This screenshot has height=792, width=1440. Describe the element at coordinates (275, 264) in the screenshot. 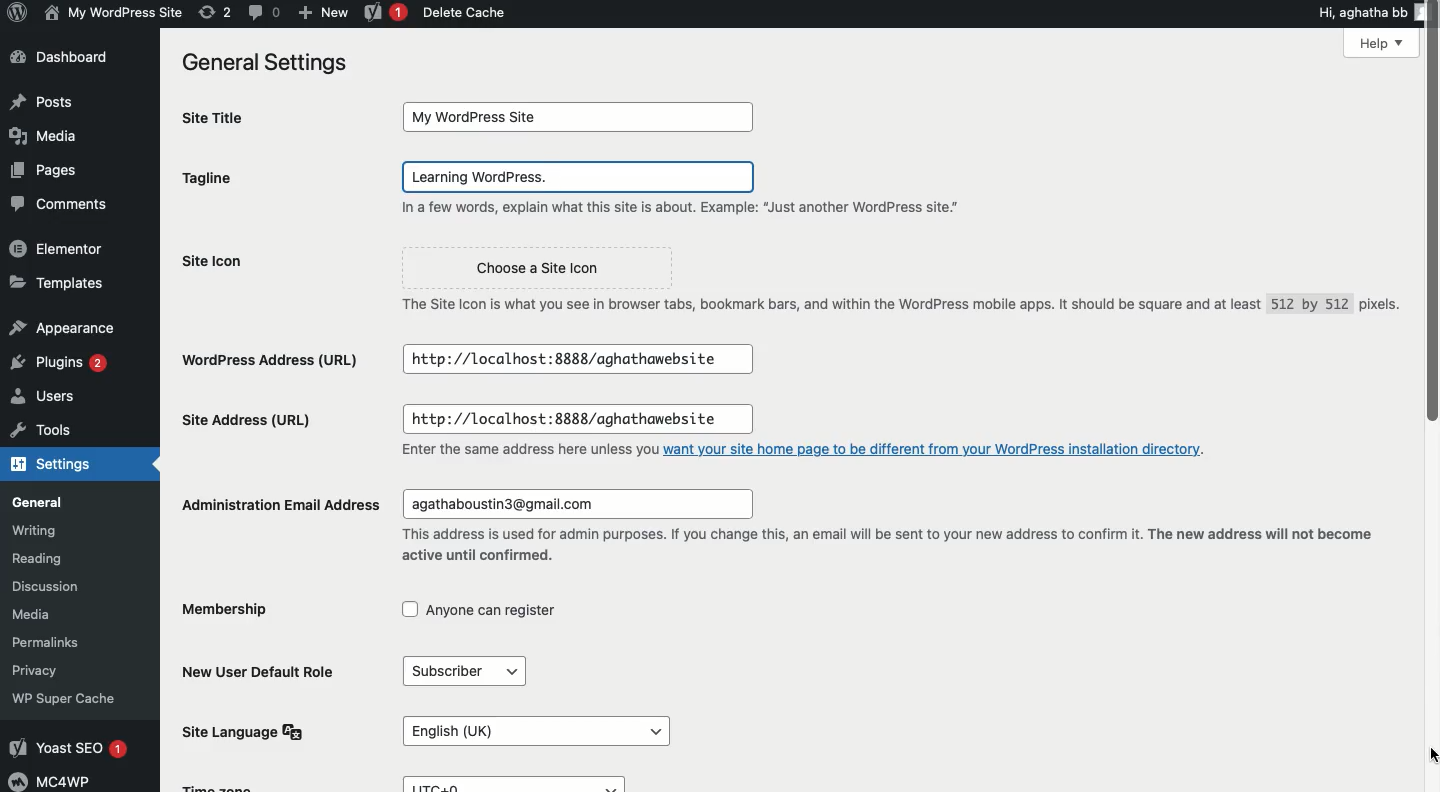

I see `Site icon` at that location.